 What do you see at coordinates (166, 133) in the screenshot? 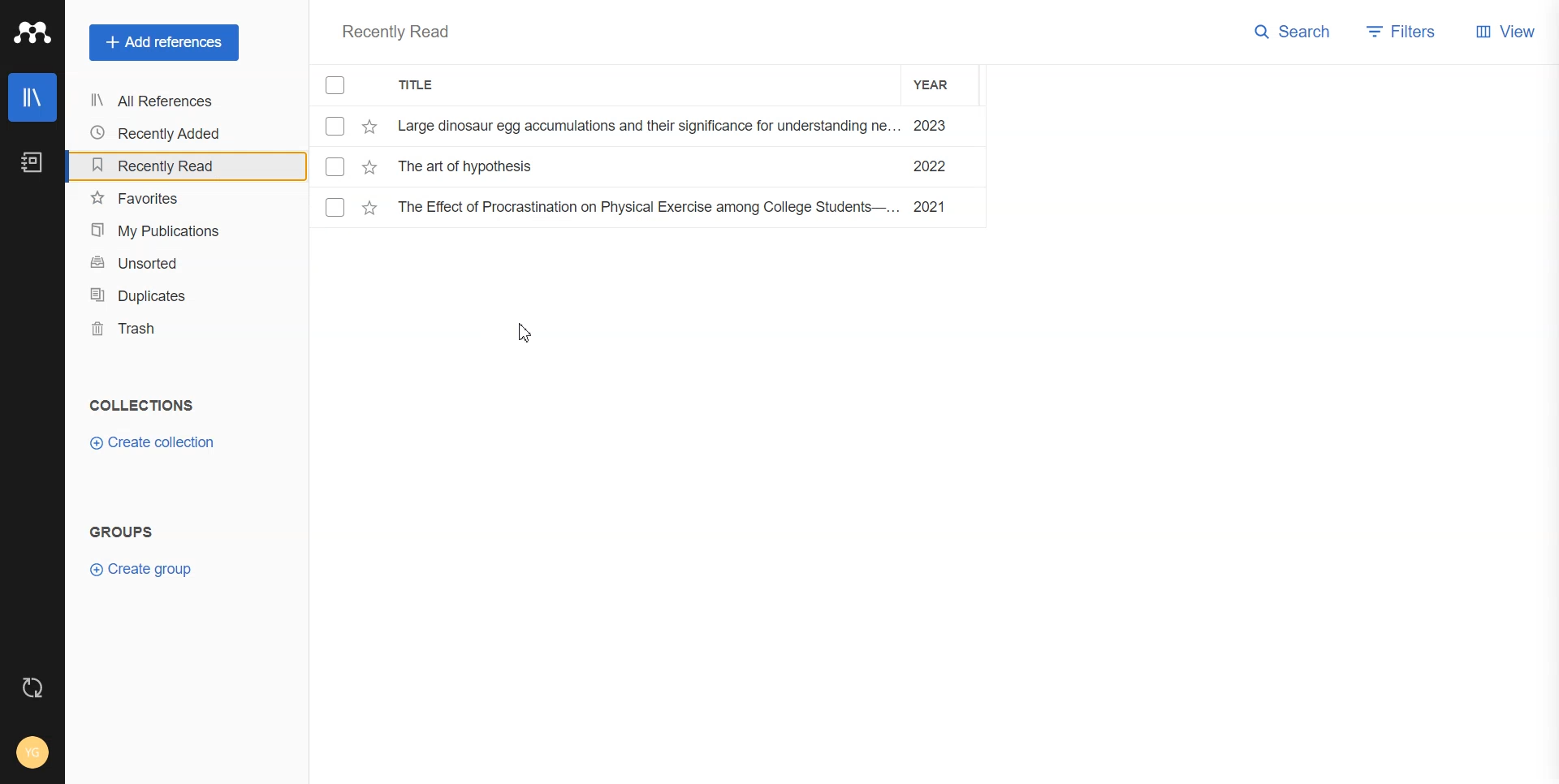
I see `Recently Added` at bounding box center [166, 133].